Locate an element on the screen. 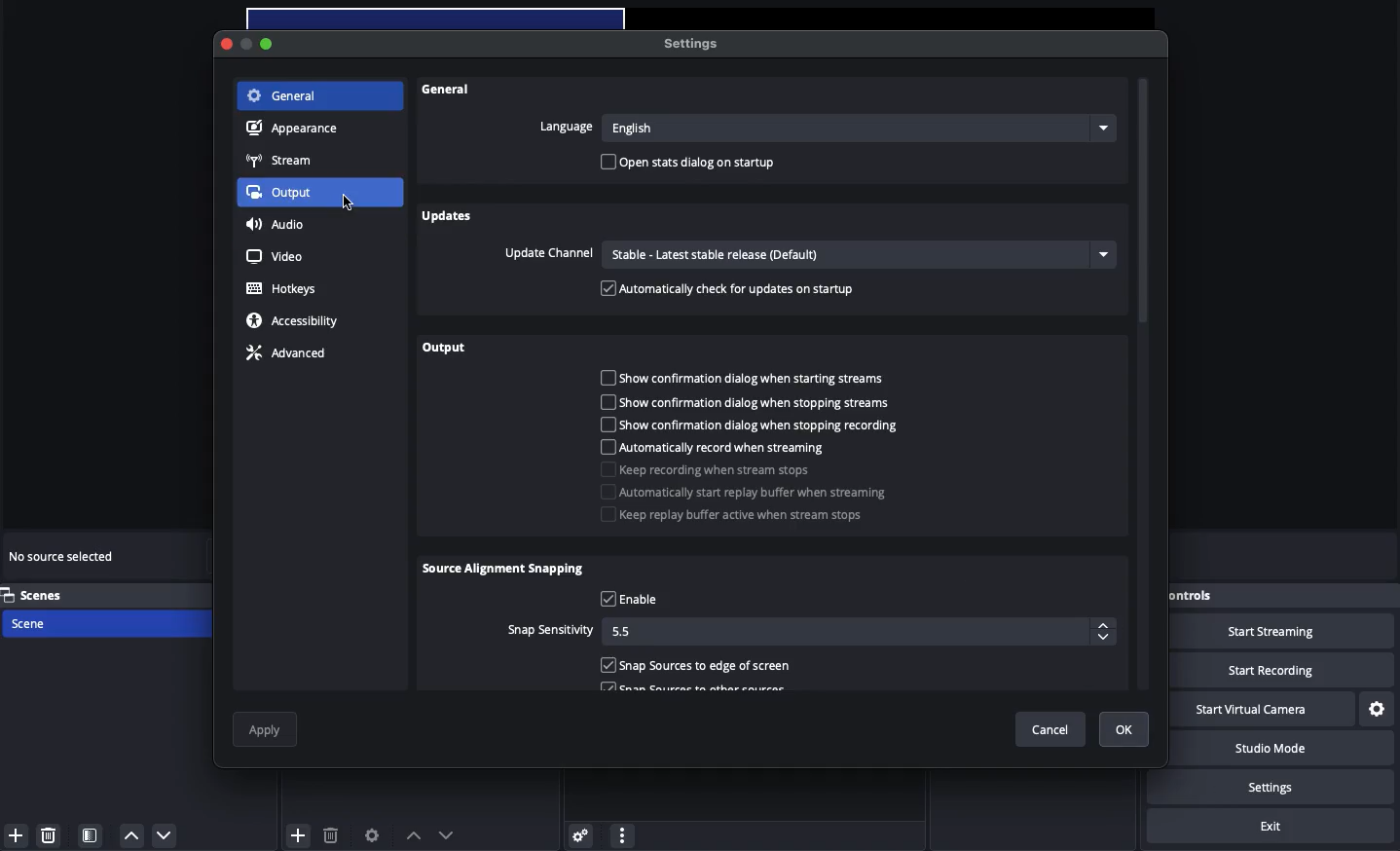  Source preferences is located at coordinates (370, 836).